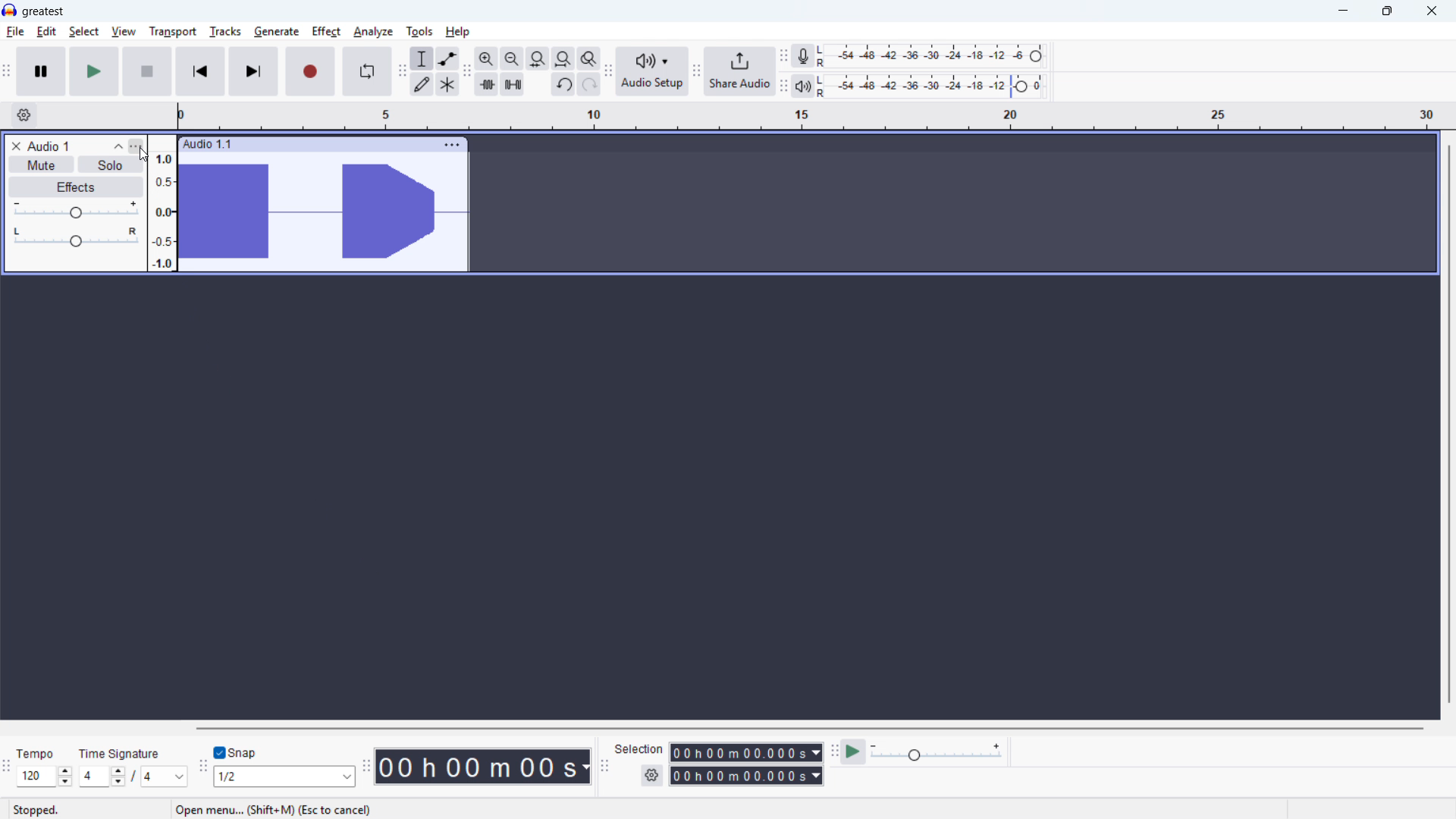 Image resolution: width=1456 pixels, height=819 pixels. Describe the element at coordinates (421, 59) in the screenshot. I see `selection tool` at that location.